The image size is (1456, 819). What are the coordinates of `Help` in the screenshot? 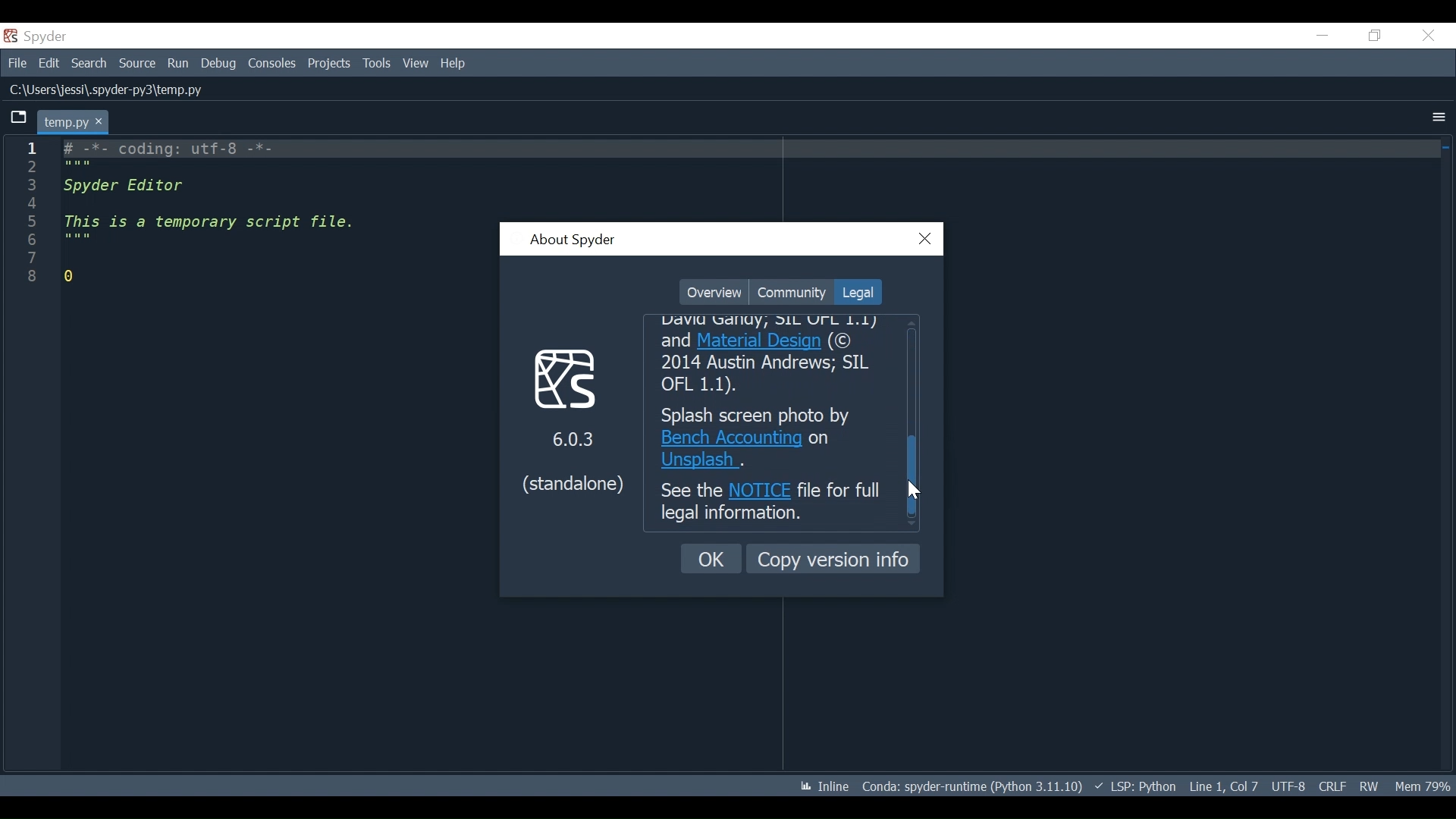 It's located at (454, 64).